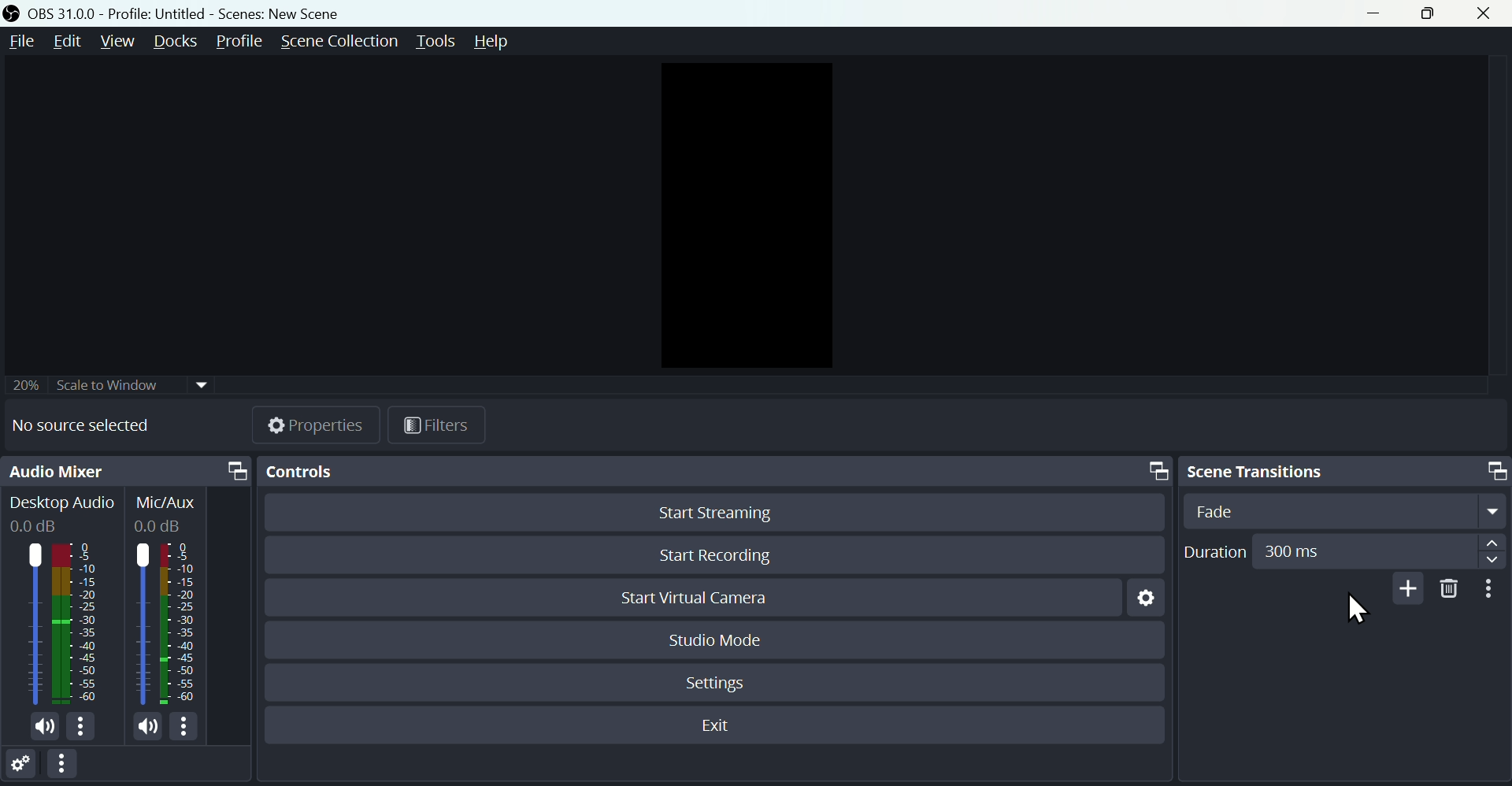 This screenshot has height=786, width=1512. I want to click on Scene collection, so click(338, 41).